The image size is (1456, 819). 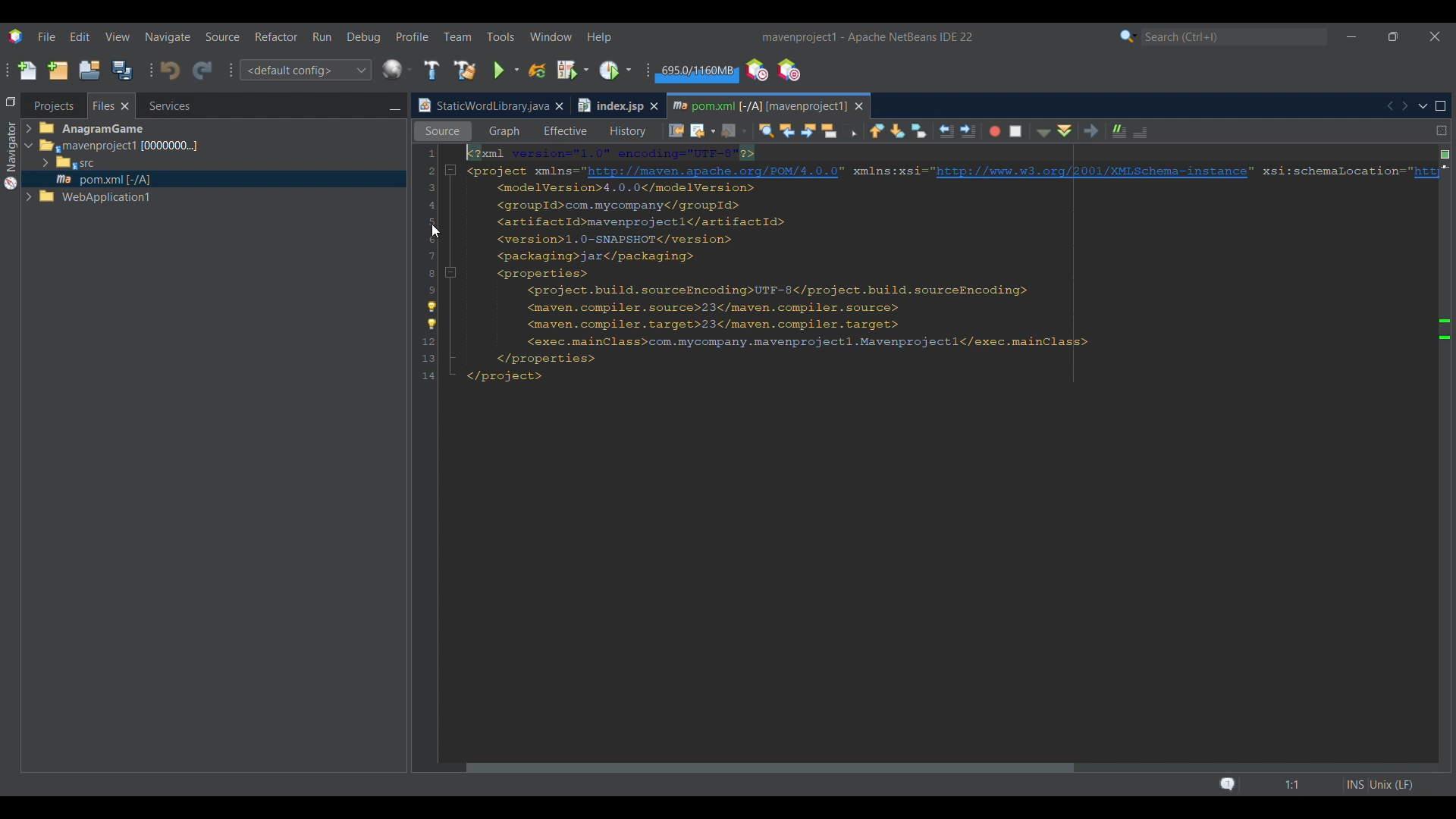 I want to click on Navigate menu, so click(x=168, y=37).